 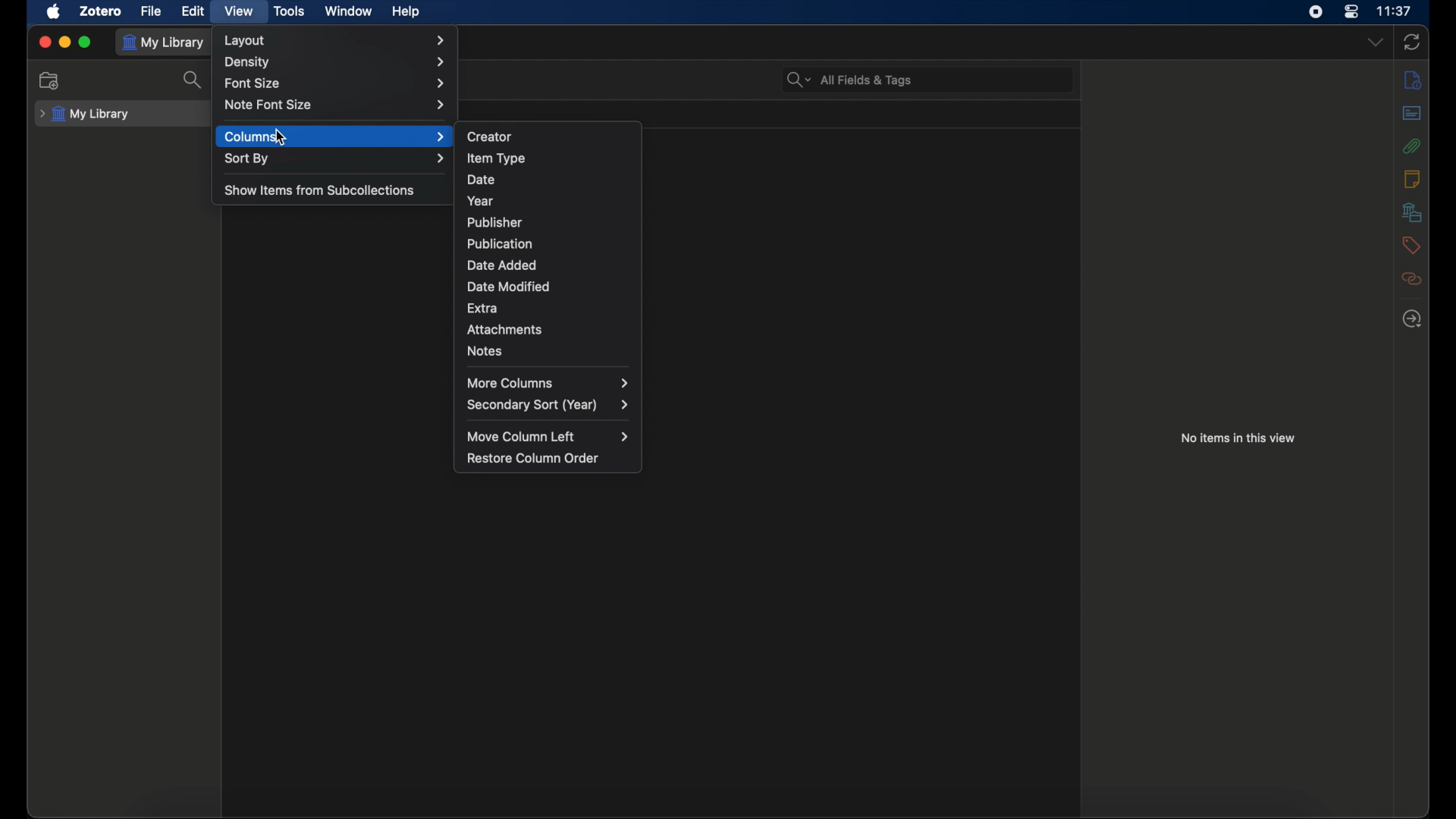 What do you see at coordinates (281, 138) in the screenshot?
I see `cursor` at bounding box center [281, 138].